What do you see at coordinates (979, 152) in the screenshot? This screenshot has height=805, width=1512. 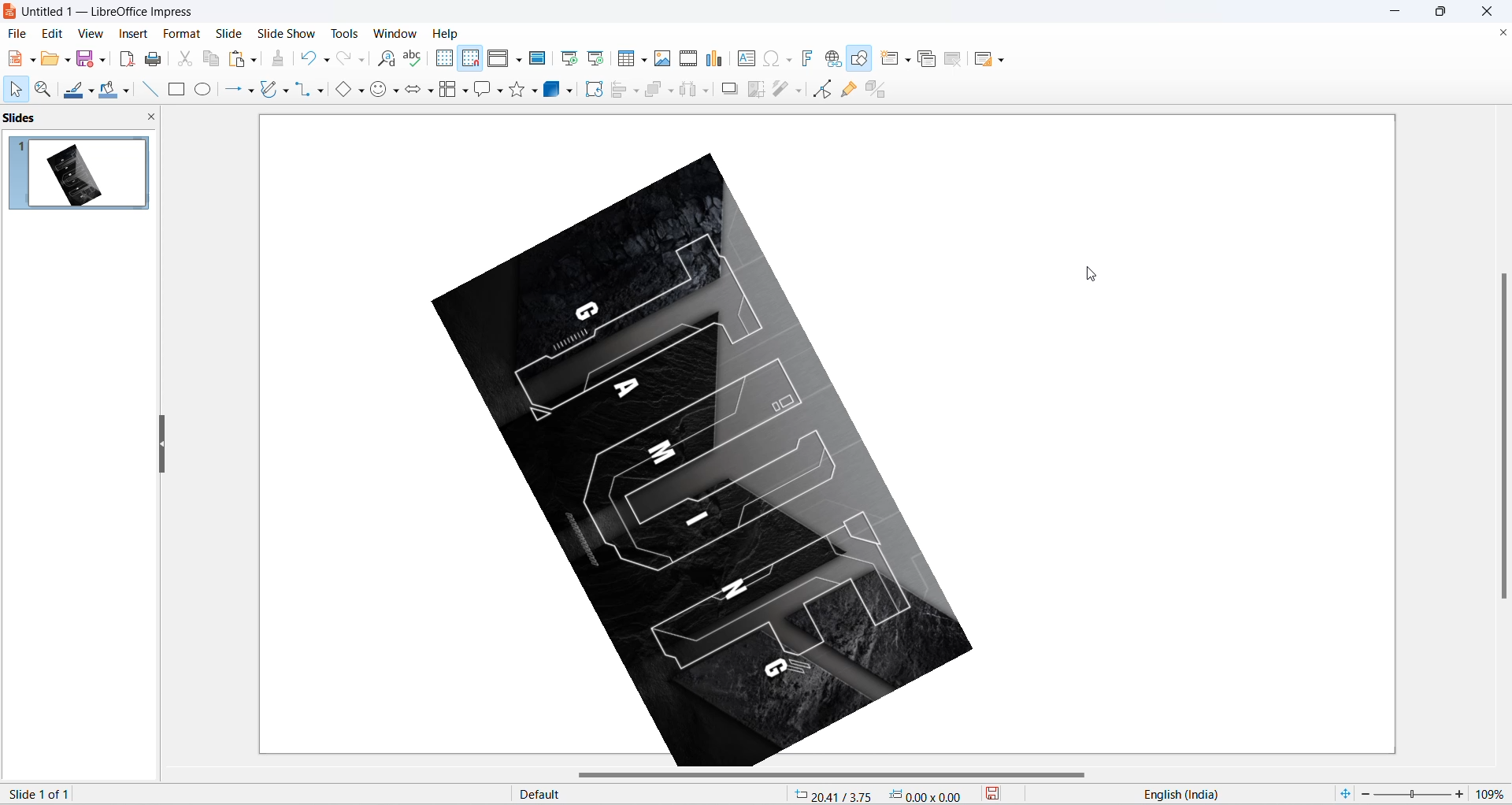 I see `image selection markup` at bounding box center [979, 152].